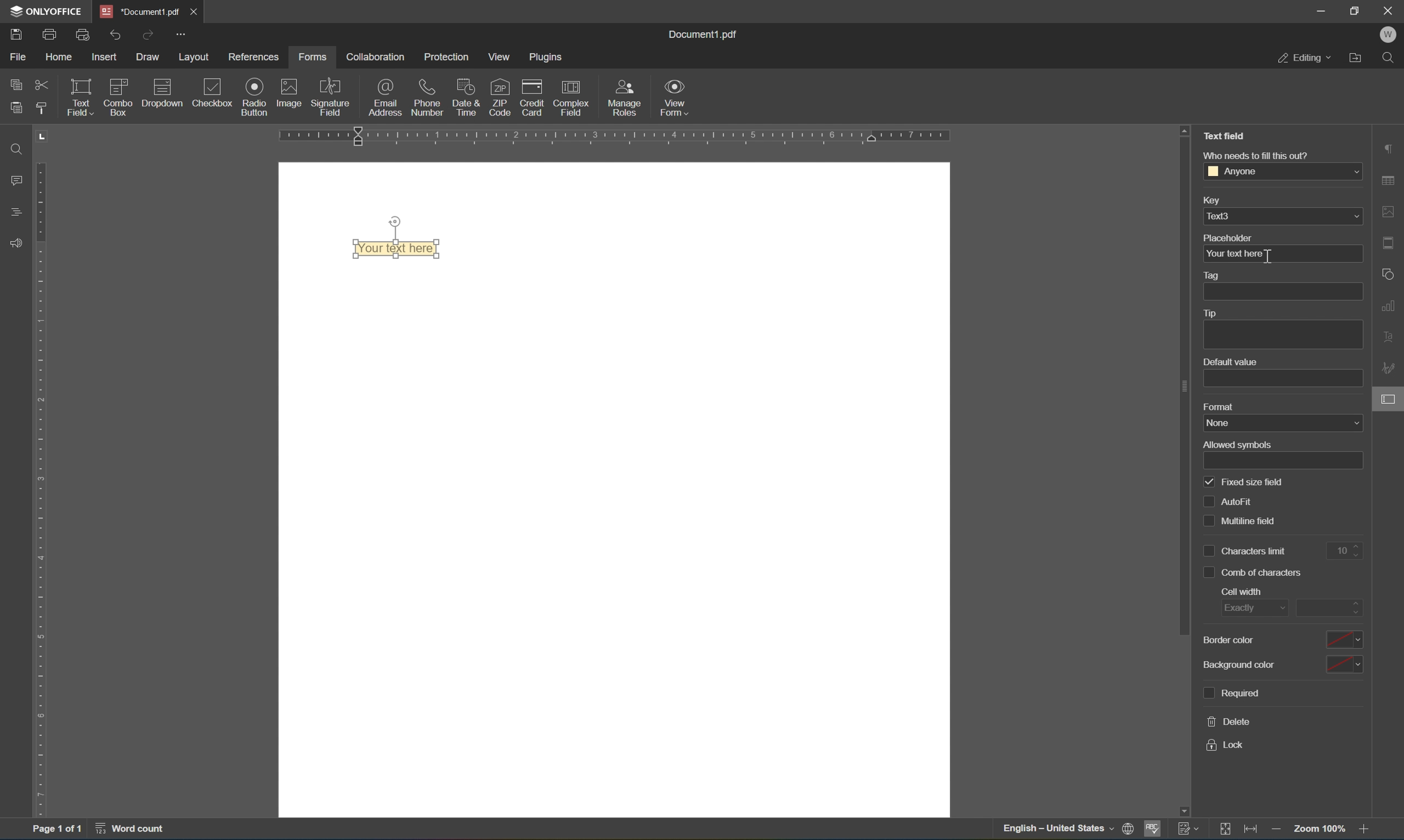 This screenshot has width=1404, height=840. What do you see at coordinates (624, 100) in the screenshot?
I see `manage roles` at bounding box center [624, 100].